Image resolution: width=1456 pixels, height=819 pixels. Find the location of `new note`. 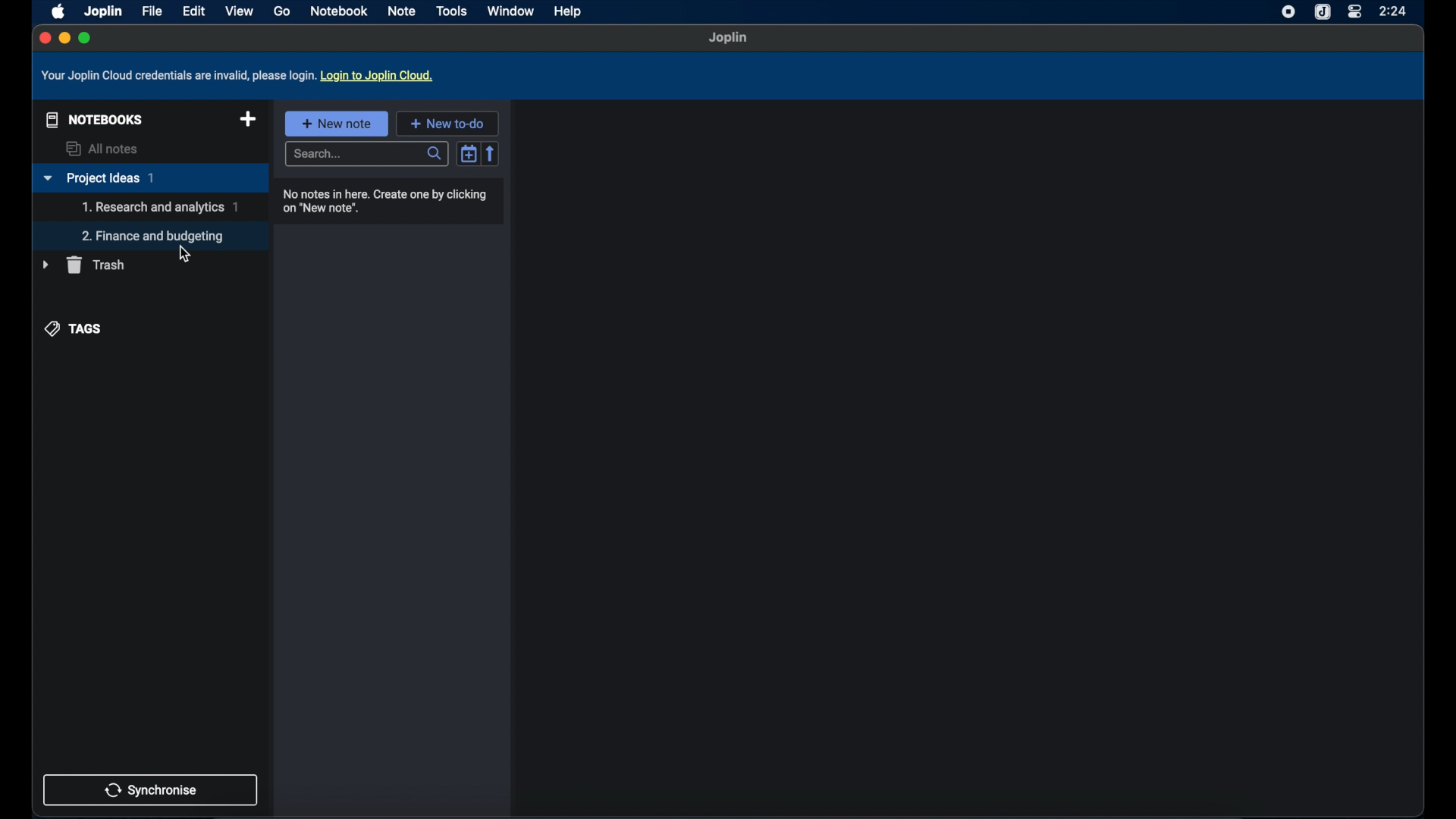

new note is located at coordinates (336, 123).